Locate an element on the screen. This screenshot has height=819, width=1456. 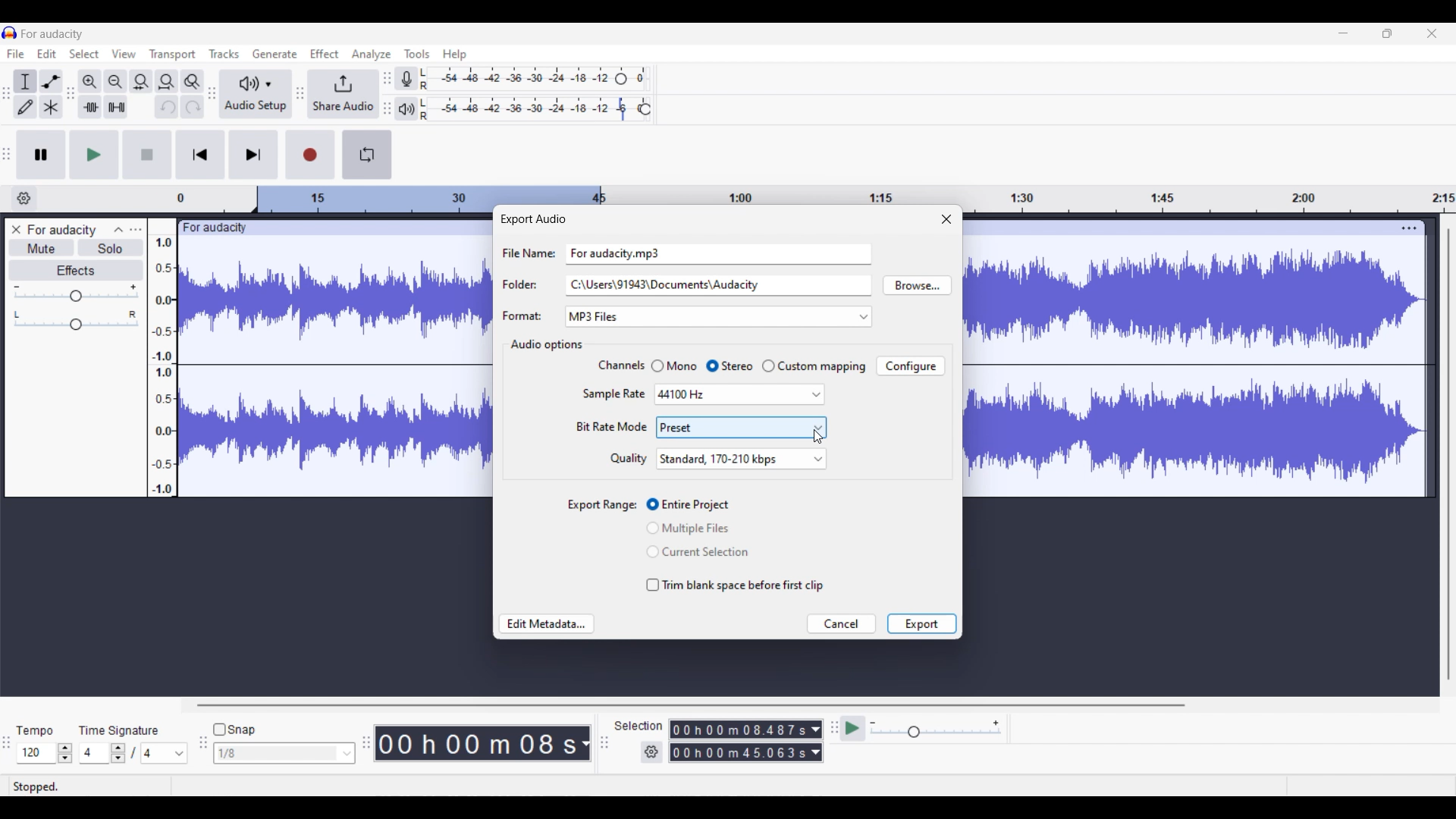
Scale to measure intensty if sound is located at coordinates (162, 366).